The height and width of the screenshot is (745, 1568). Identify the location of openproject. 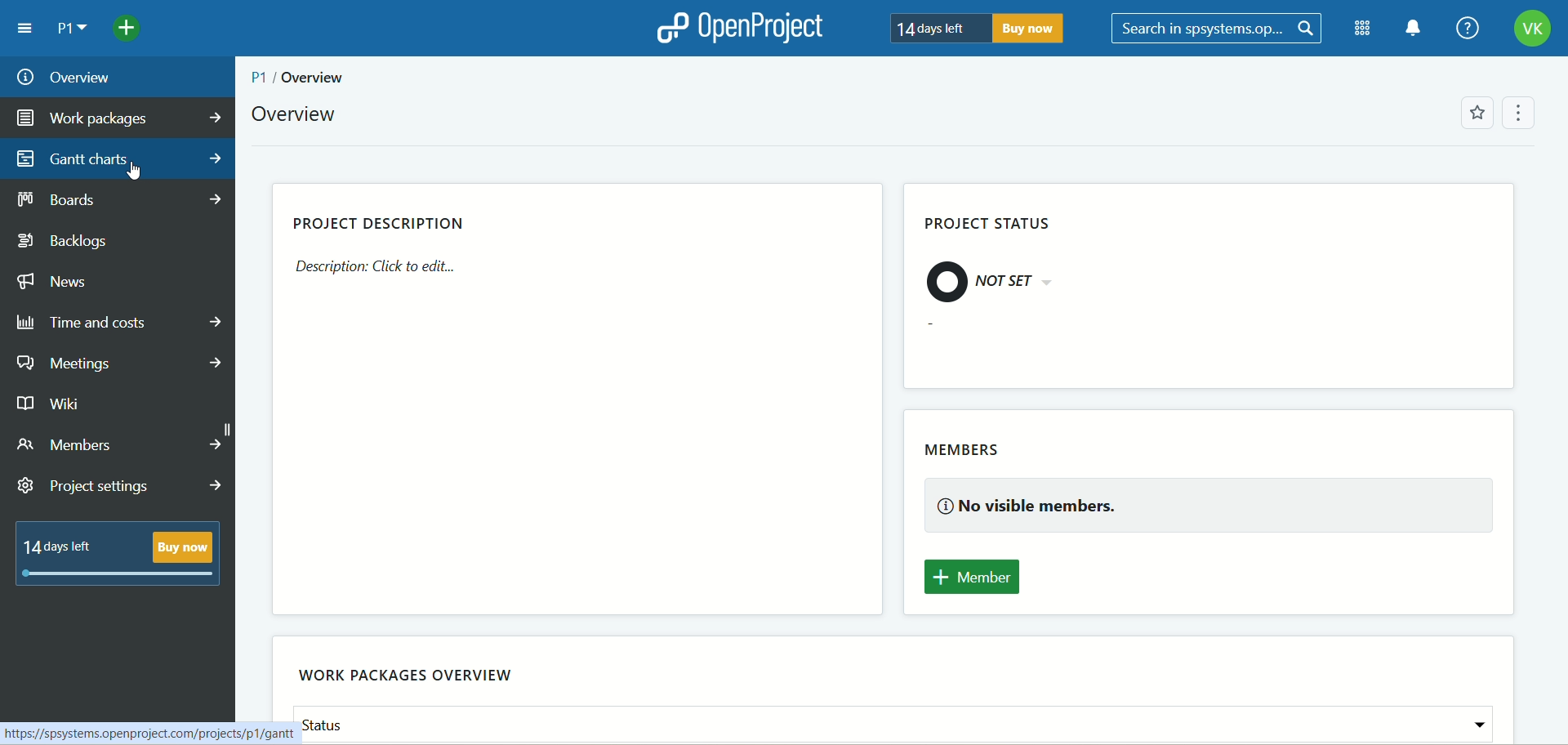
(738, 27).